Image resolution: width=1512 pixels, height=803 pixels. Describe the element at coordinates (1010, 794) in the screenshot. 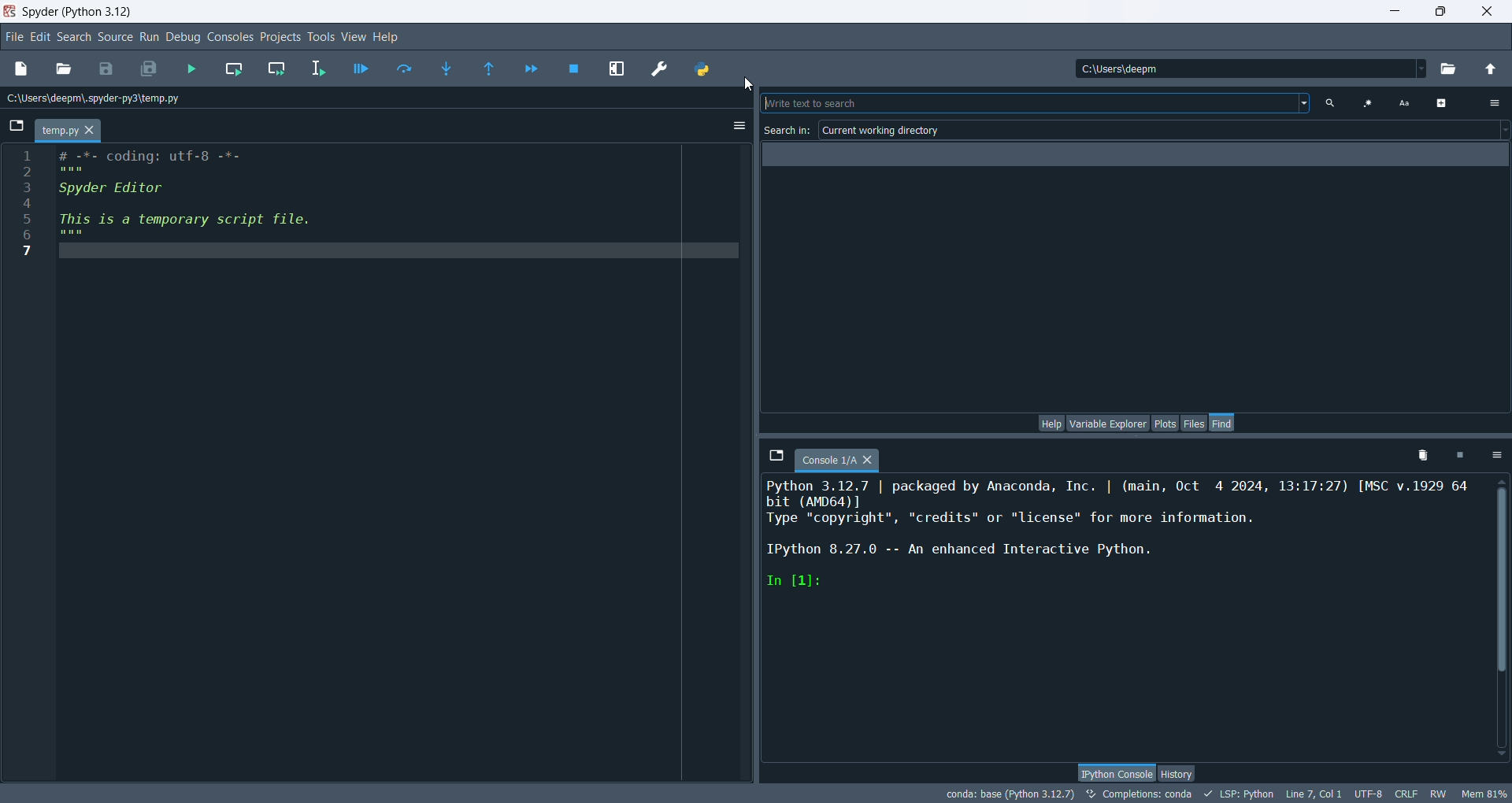

I see `conda:base` at that location.